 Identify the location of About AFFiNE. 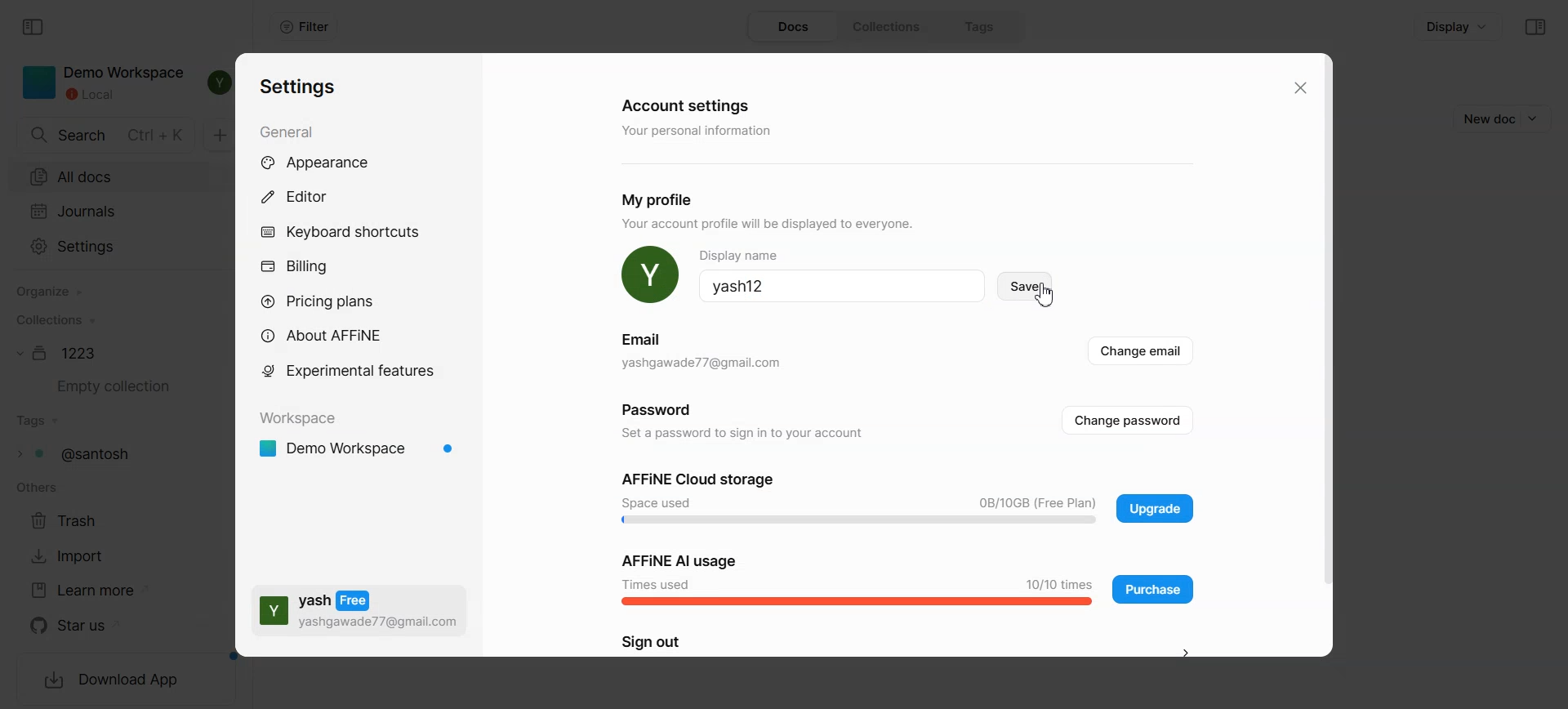
(327, 336).